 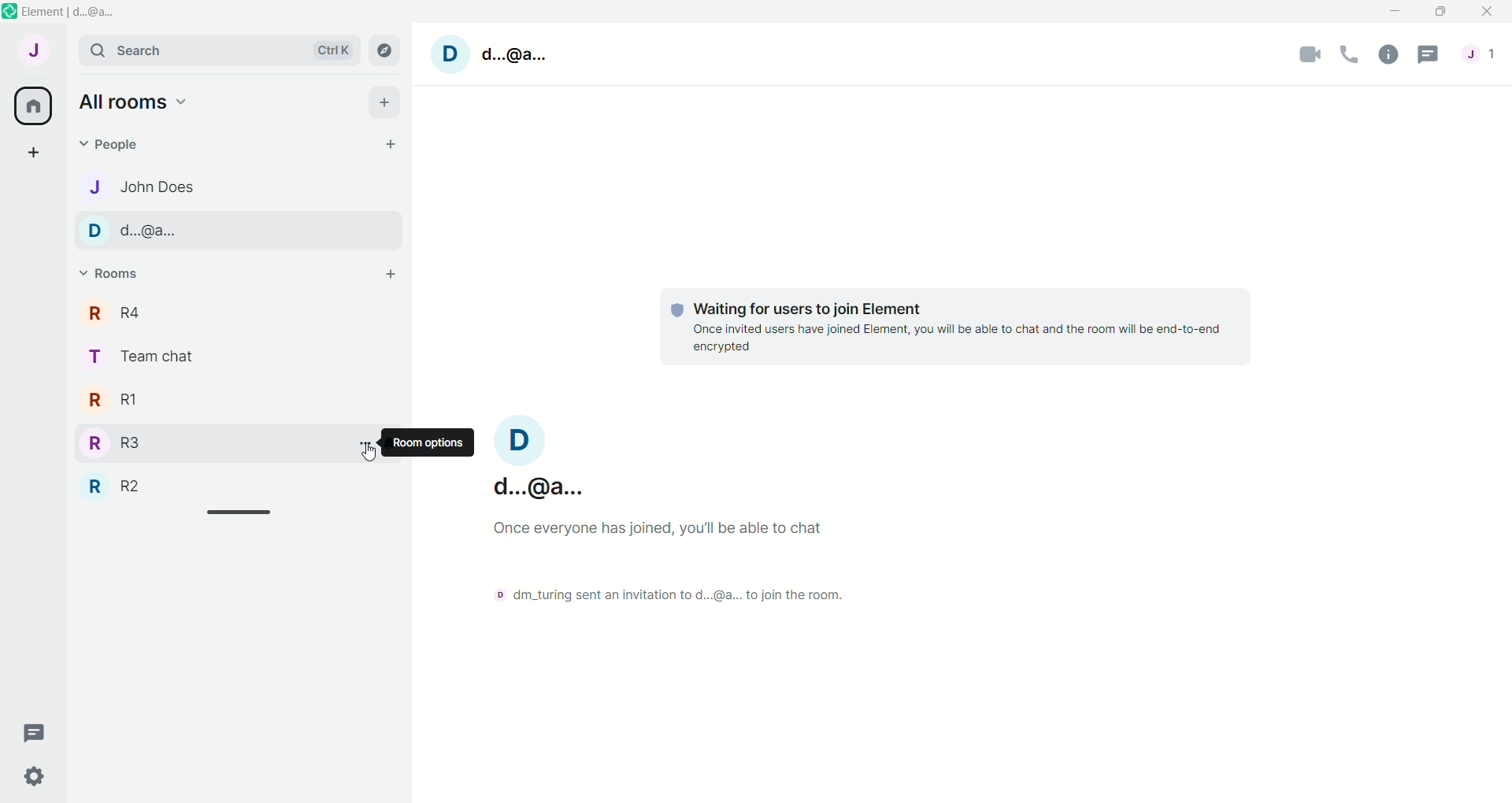 What do you see at coordinates (427, 442) in the screenshot?
I see `room options` at bounding box center [427, 442].